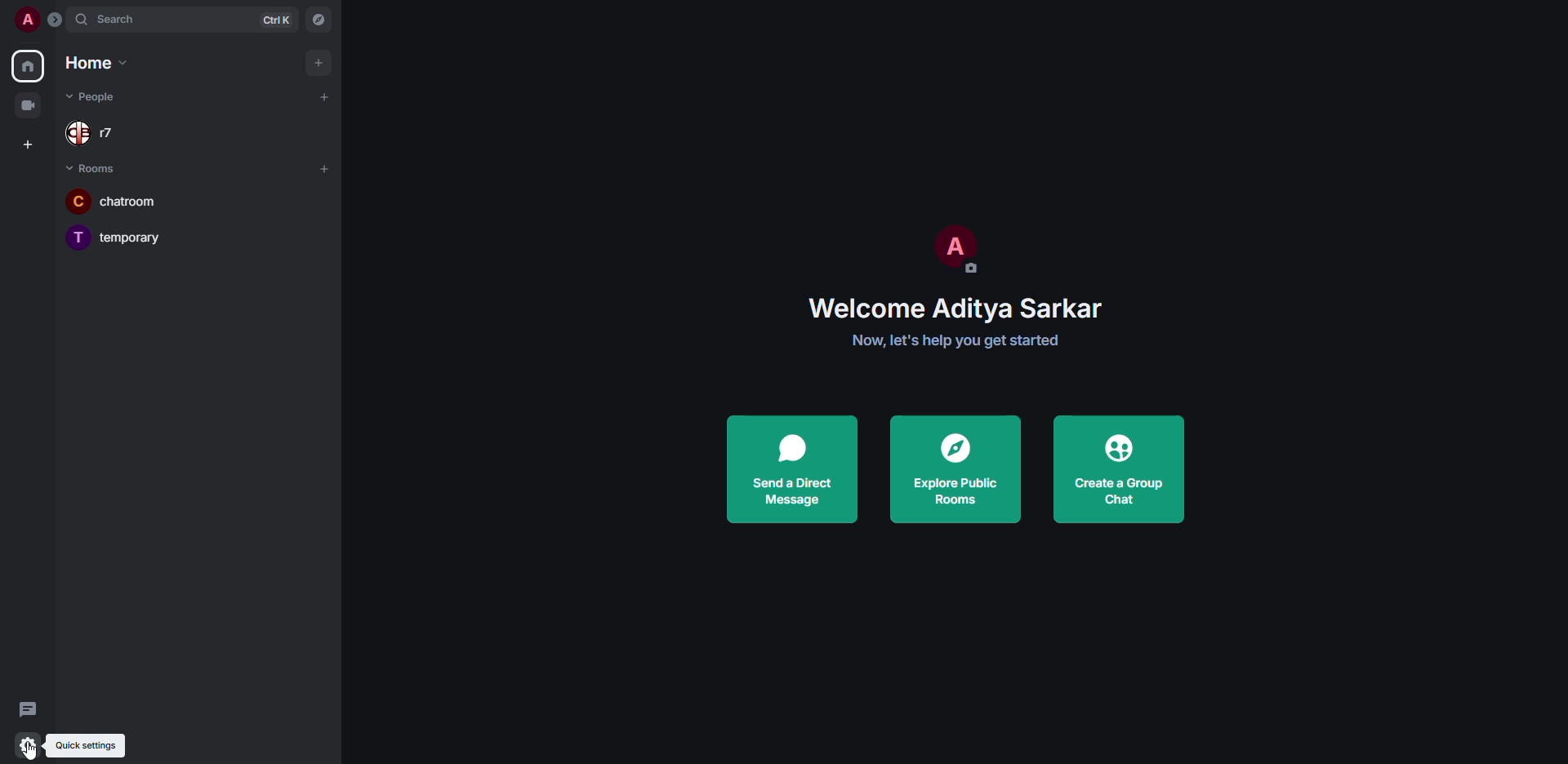 The image size is (1568, 764). What do you see at coordinates (30, 67) in the screenshot?
I see `home` at bounding box center [30, 67].